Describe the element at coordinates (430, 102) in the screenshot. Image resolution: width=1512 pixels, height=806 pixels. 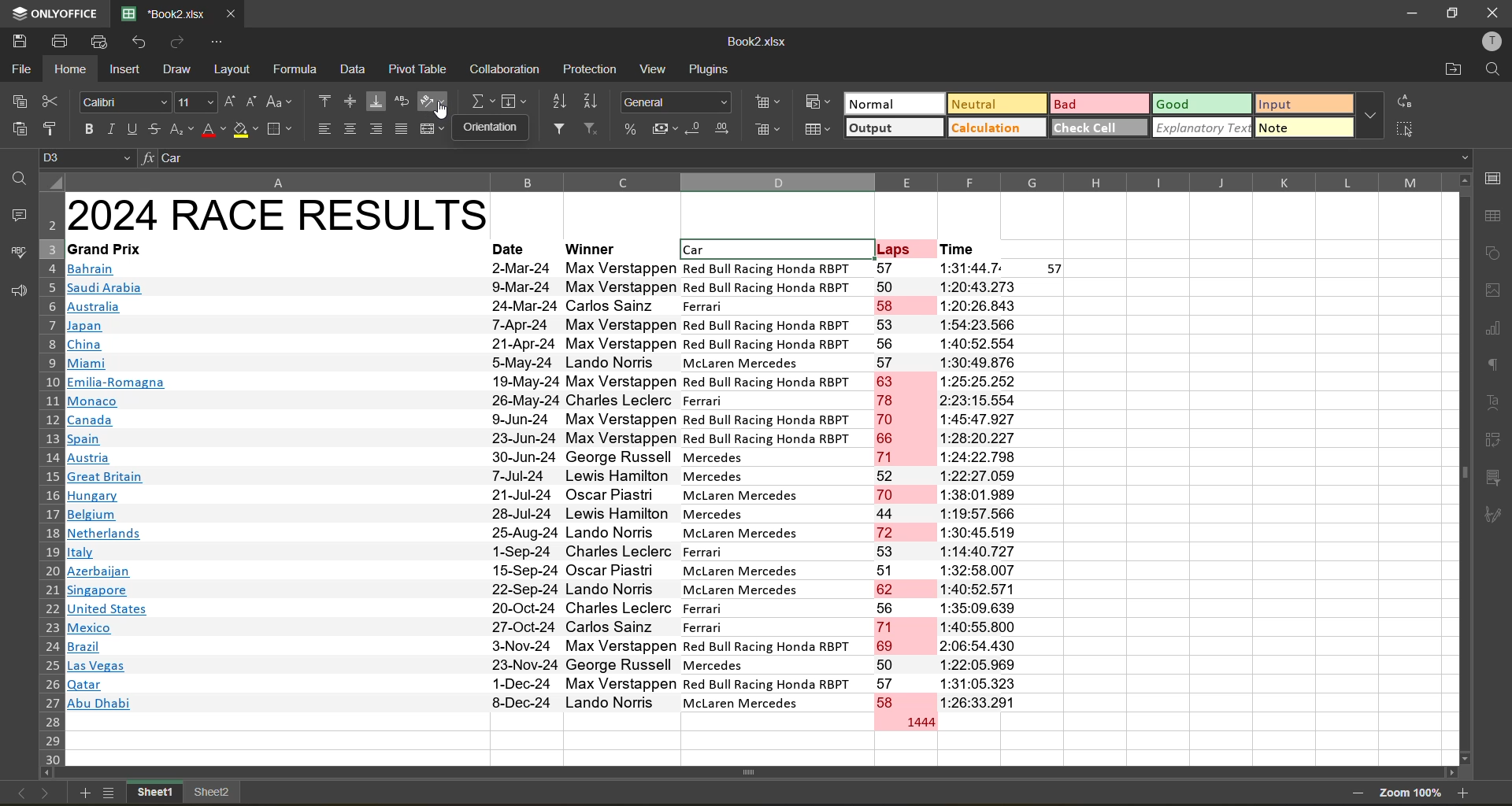
I see `orientation` at that location.